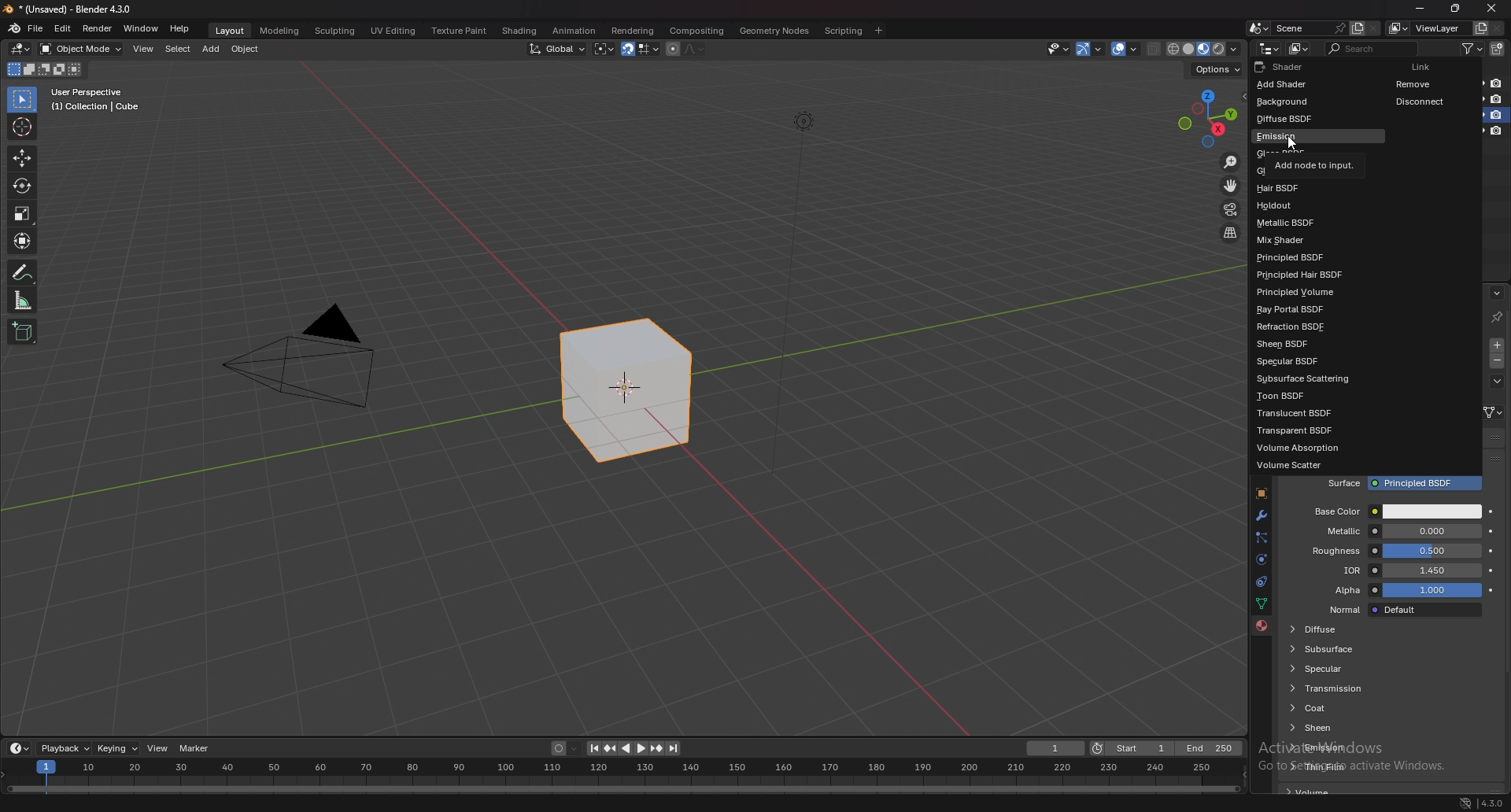 The image size is (1511, 812). Describe the element at coordinates (1480, 130) in the screenshot. I see `hide in viewport` at that location.